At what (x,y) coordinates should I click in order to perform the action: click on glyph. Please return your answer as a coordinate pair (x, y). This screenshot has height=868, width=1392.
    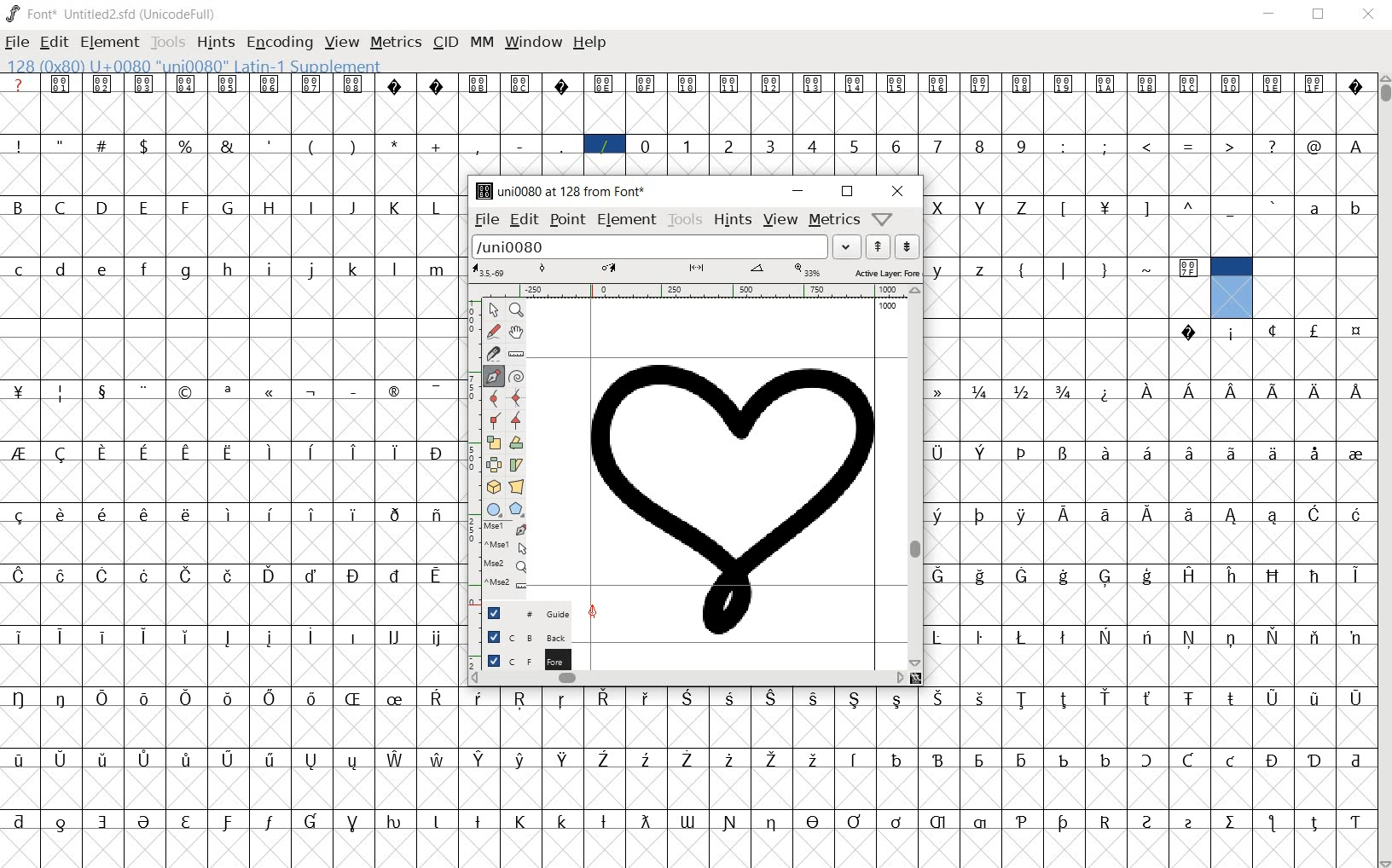
    Looking at the image, I should click on (187, 514).